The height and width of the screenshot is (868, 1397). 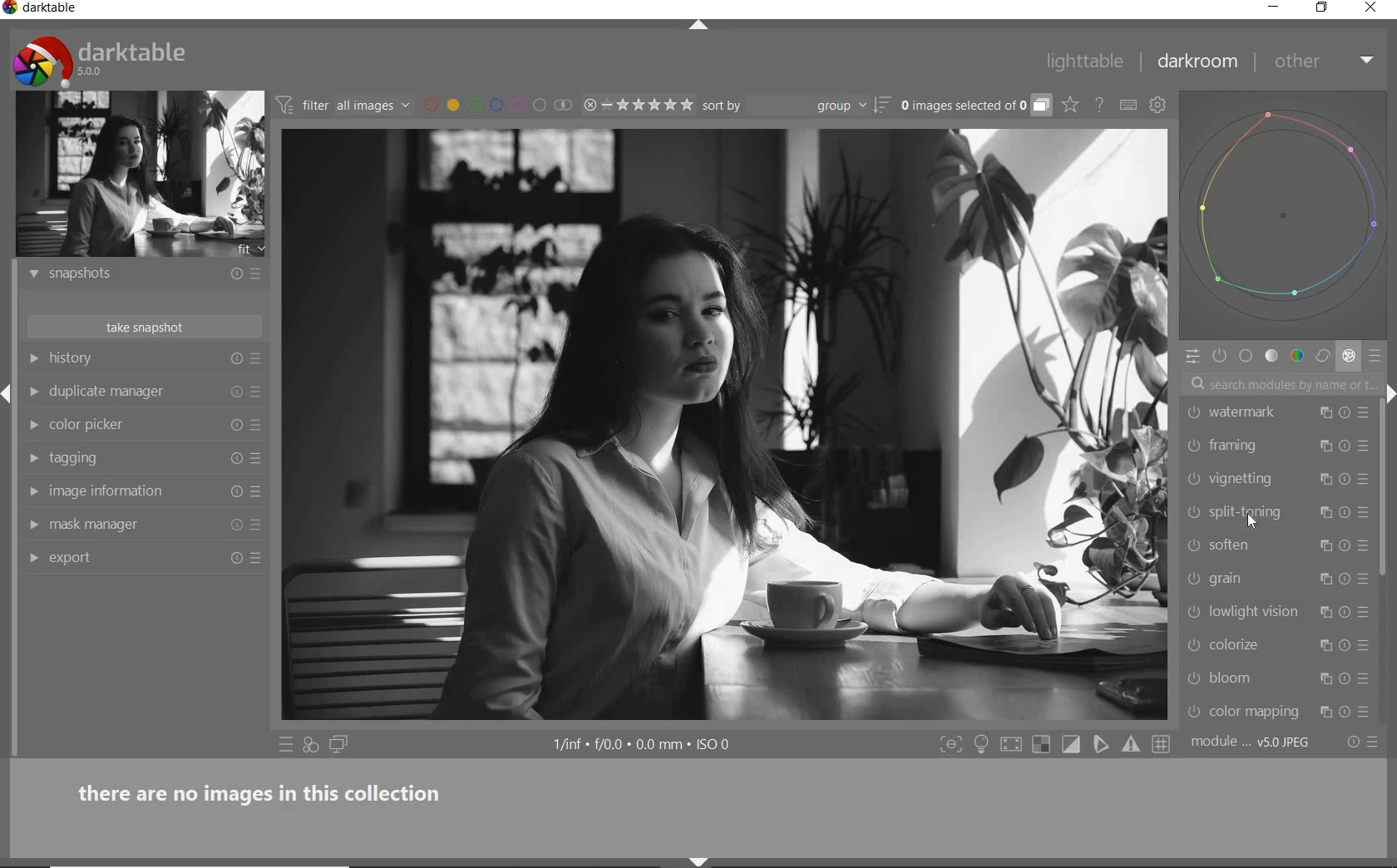 What do you see at coordinates (1366, 579) in the screenshot?
I see `preset and preferences` at bounding box center [1366, 579].